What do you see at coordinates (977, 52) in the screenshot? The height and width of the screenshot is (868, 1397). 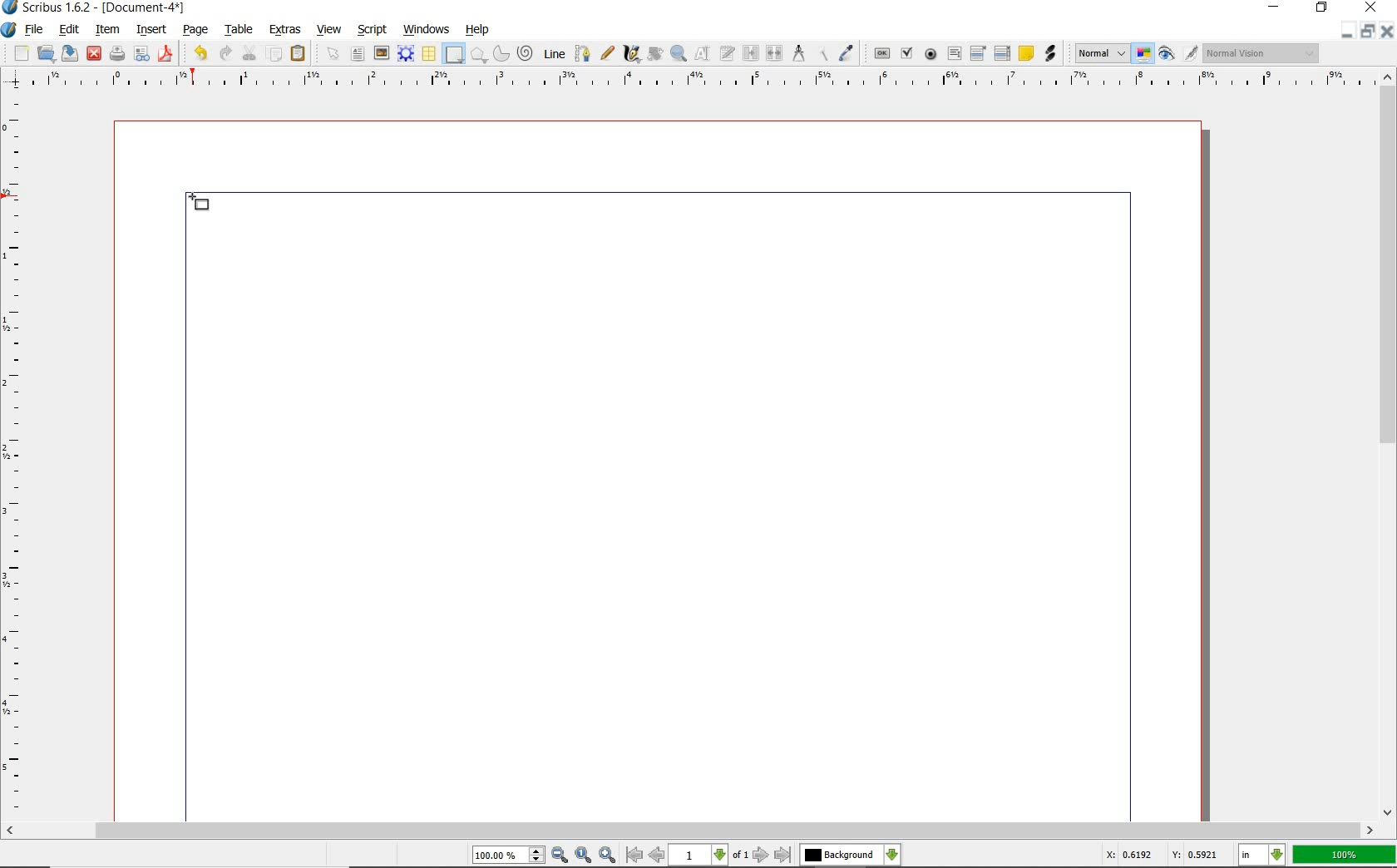 I see `pdf combo box` at bounding box center [977, 52].